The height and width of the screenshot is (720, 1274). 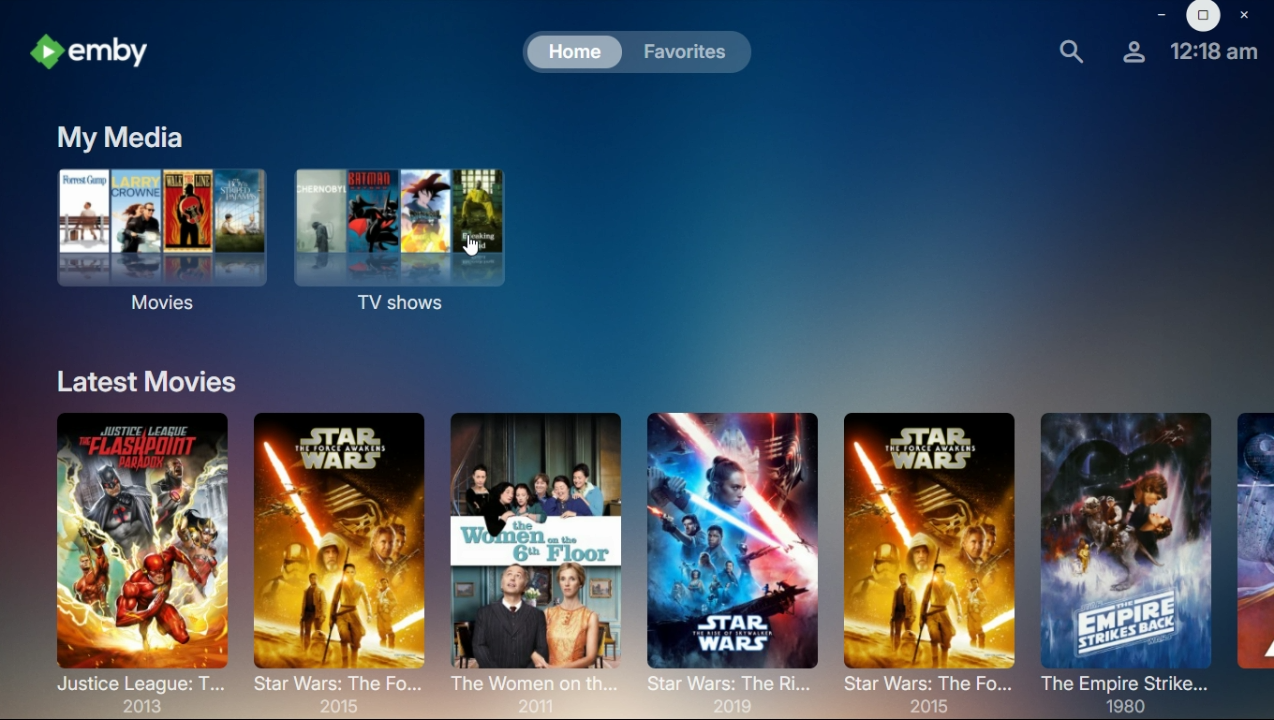 I want to click on The empire strikes back 1980, so click(x=1125, y=560).